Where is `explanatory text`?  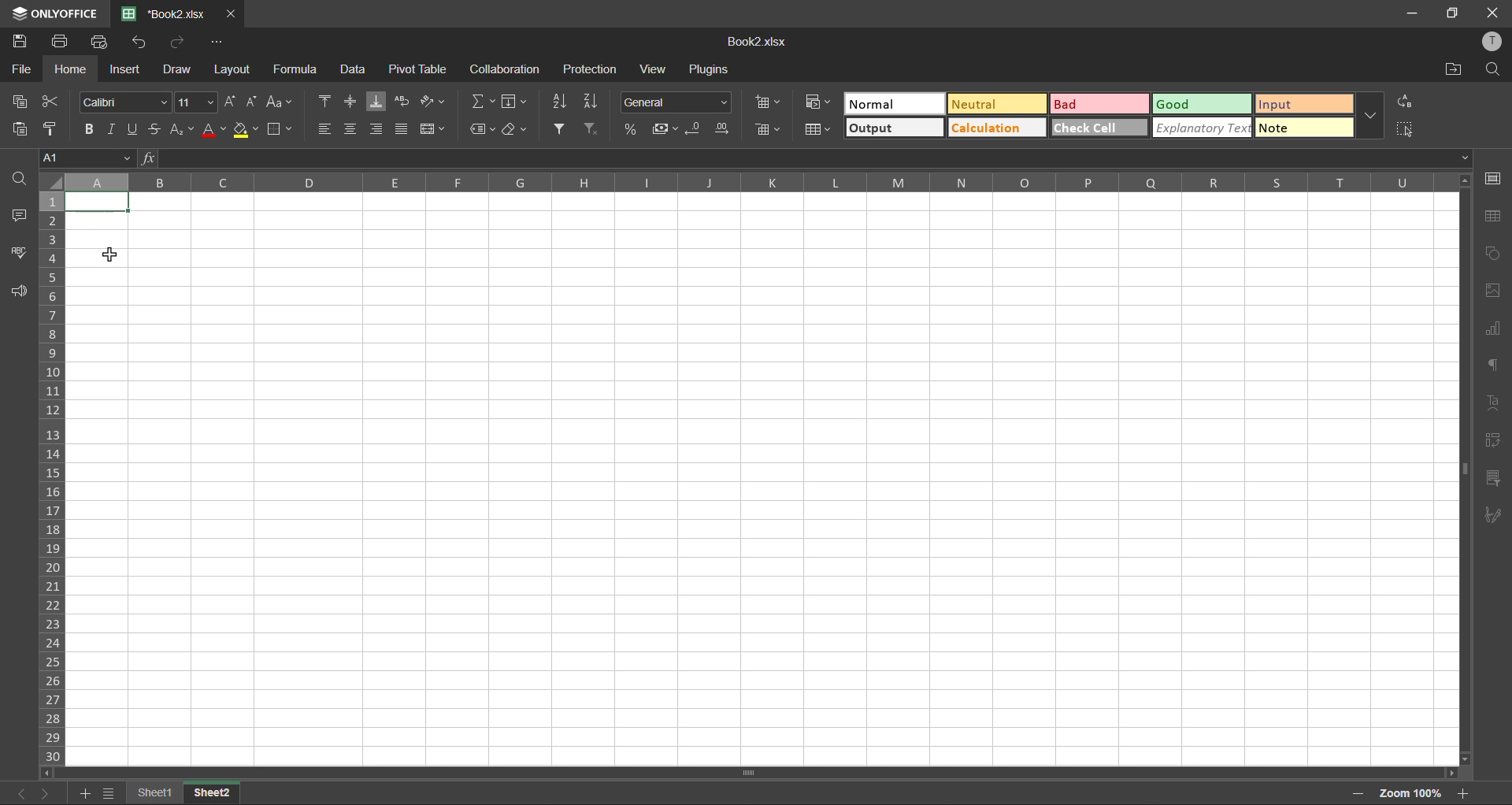 explanatory text is located at coordinates (1203, 127).